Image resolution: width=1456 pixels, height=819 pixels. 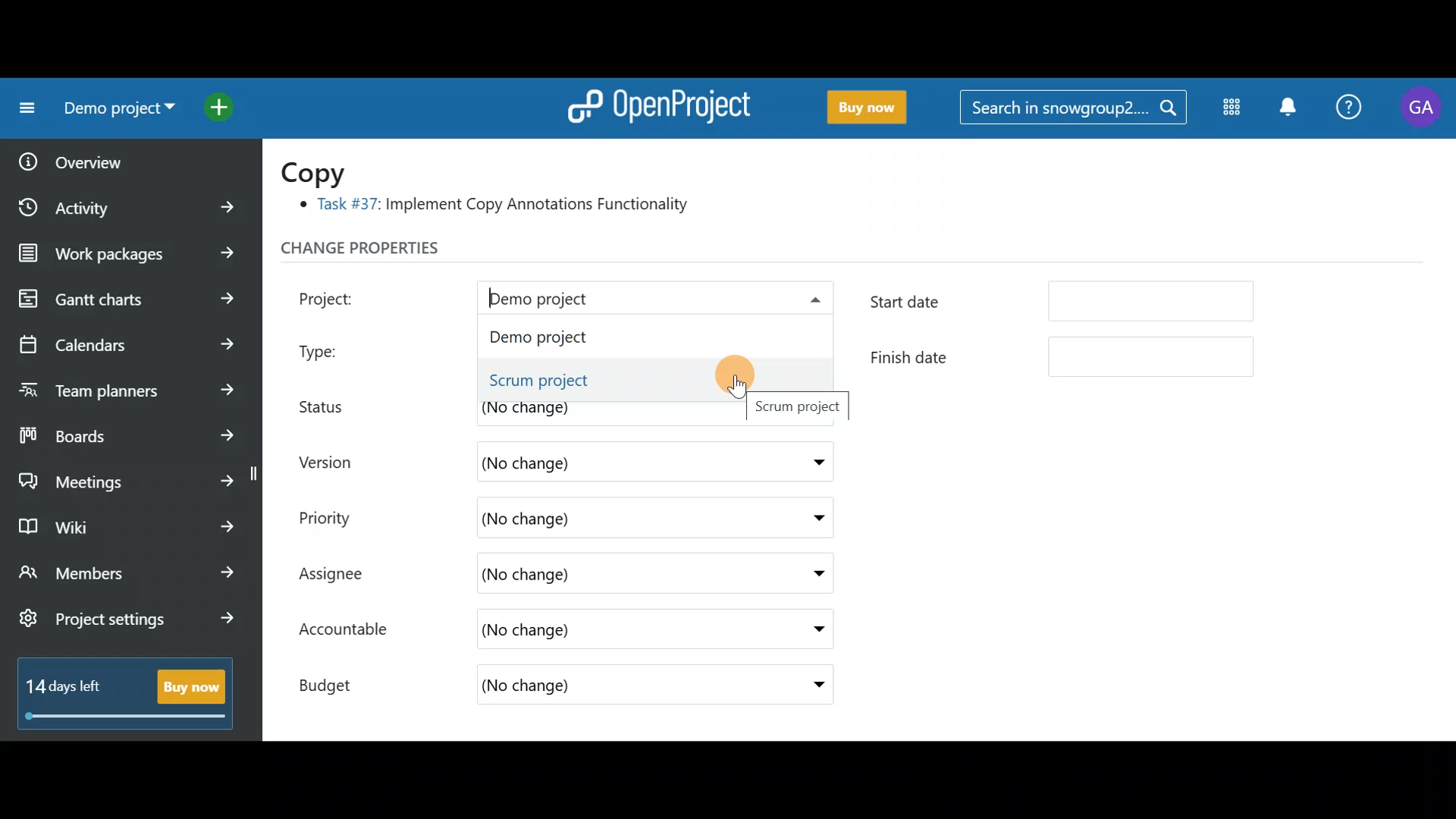 What do you see at coordinates (334, 462) in the screenshot?
I see `Version` at bounding box center [334, 462].